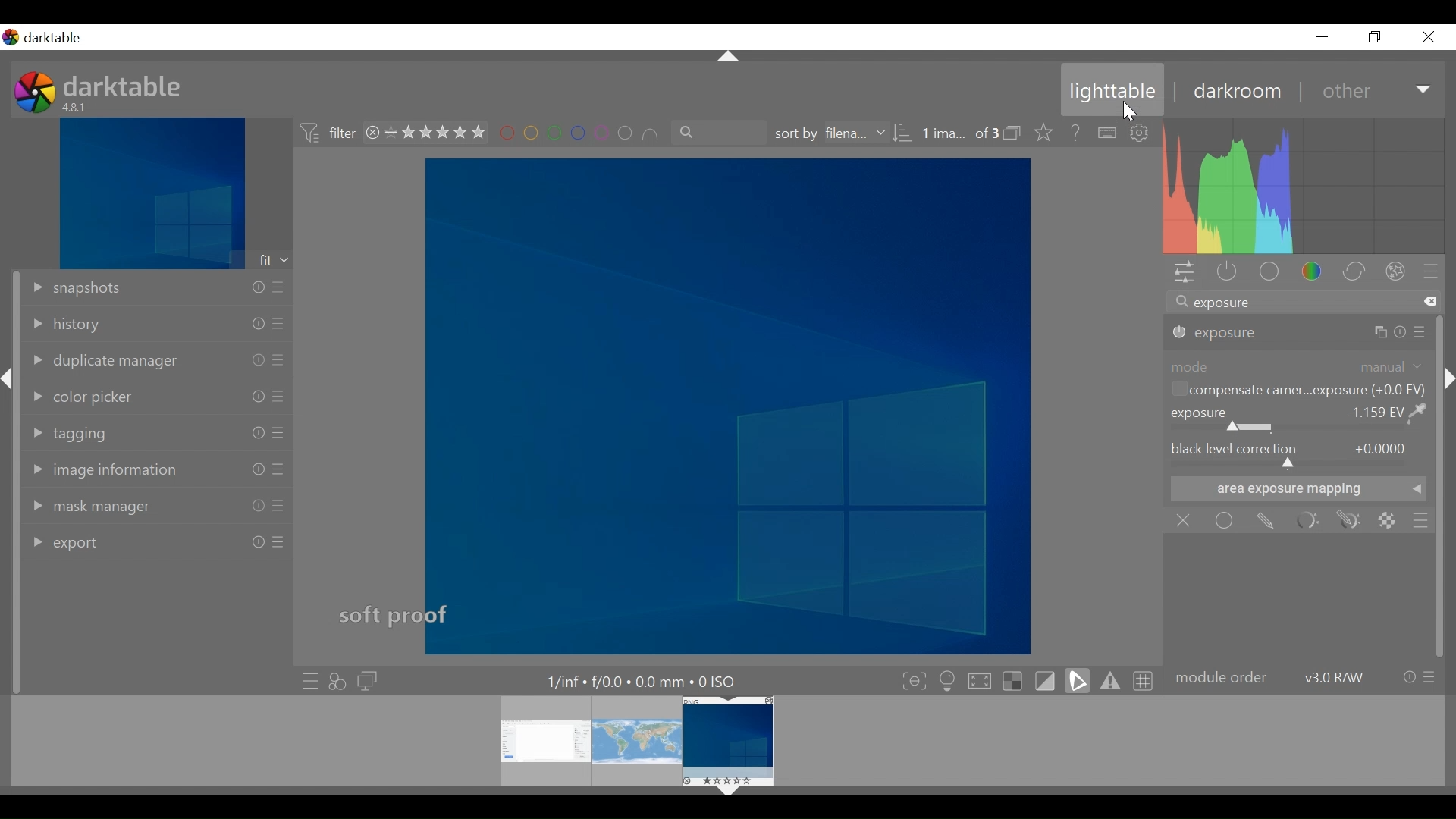 Image resolution: width=1456 pixels, height=819 pixels. Describe the element at coordinates (1381, 449) in the screenshot. I see `+0.0000` at that location.